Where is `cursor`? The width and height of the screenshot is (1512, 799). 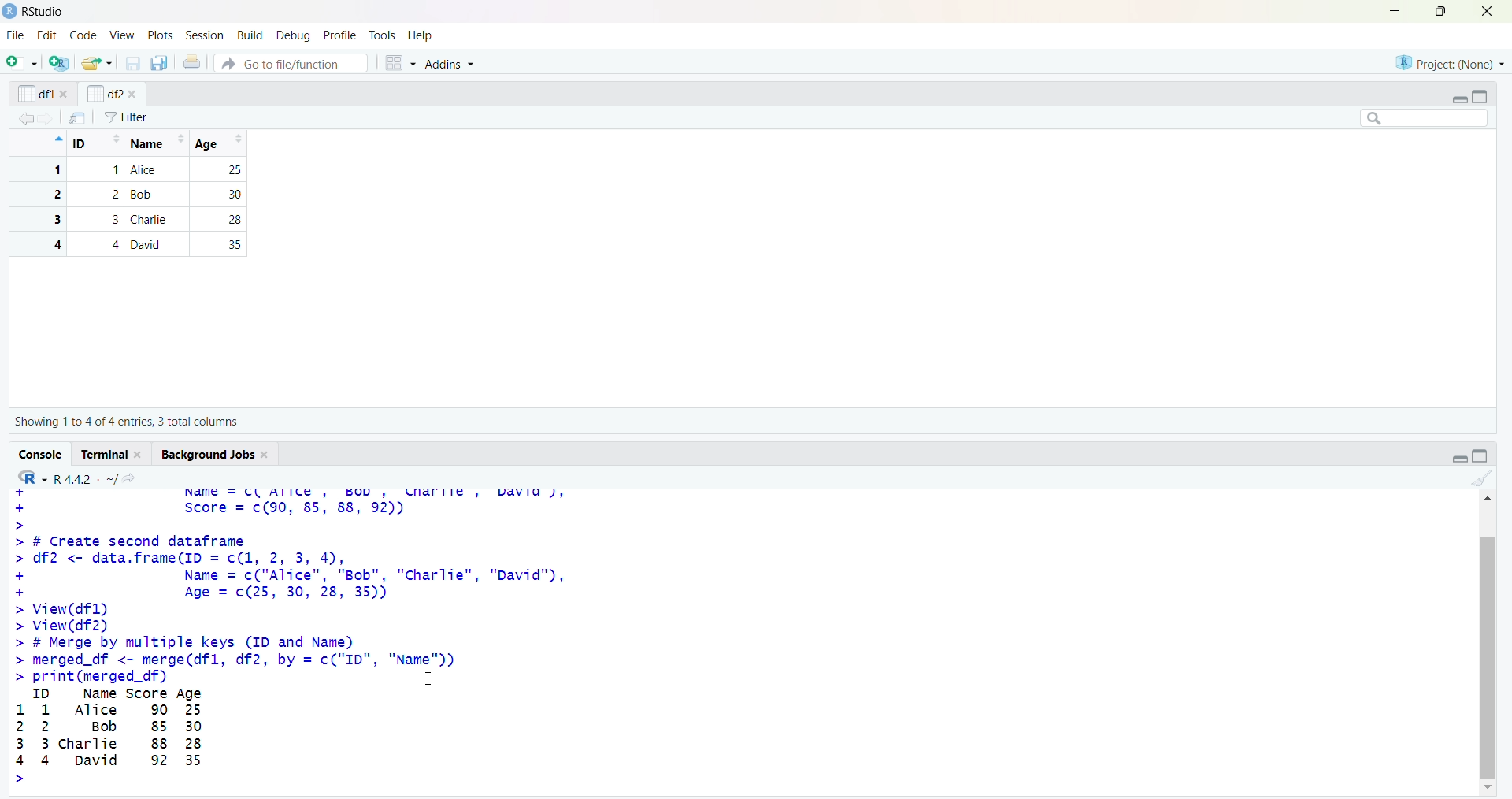 cursor is located at coordinates (429, 678).